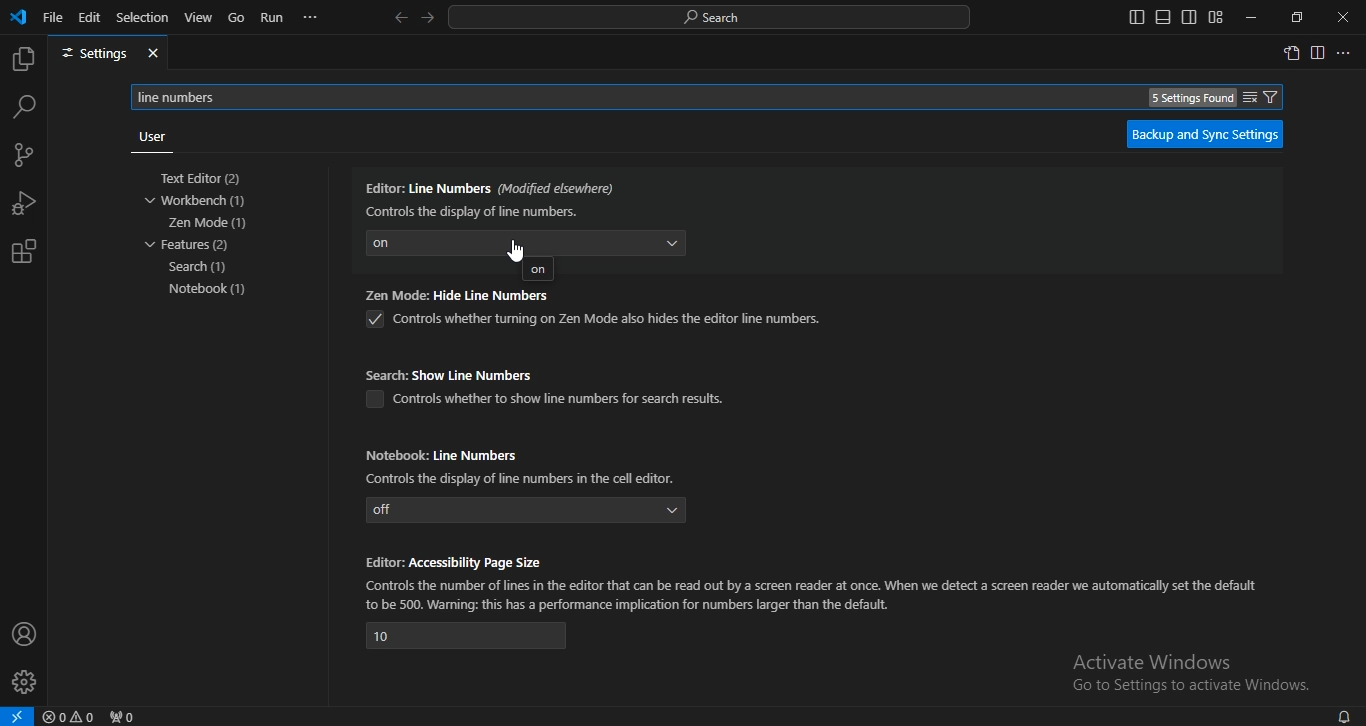  I want to click on features, so click(189, 244).